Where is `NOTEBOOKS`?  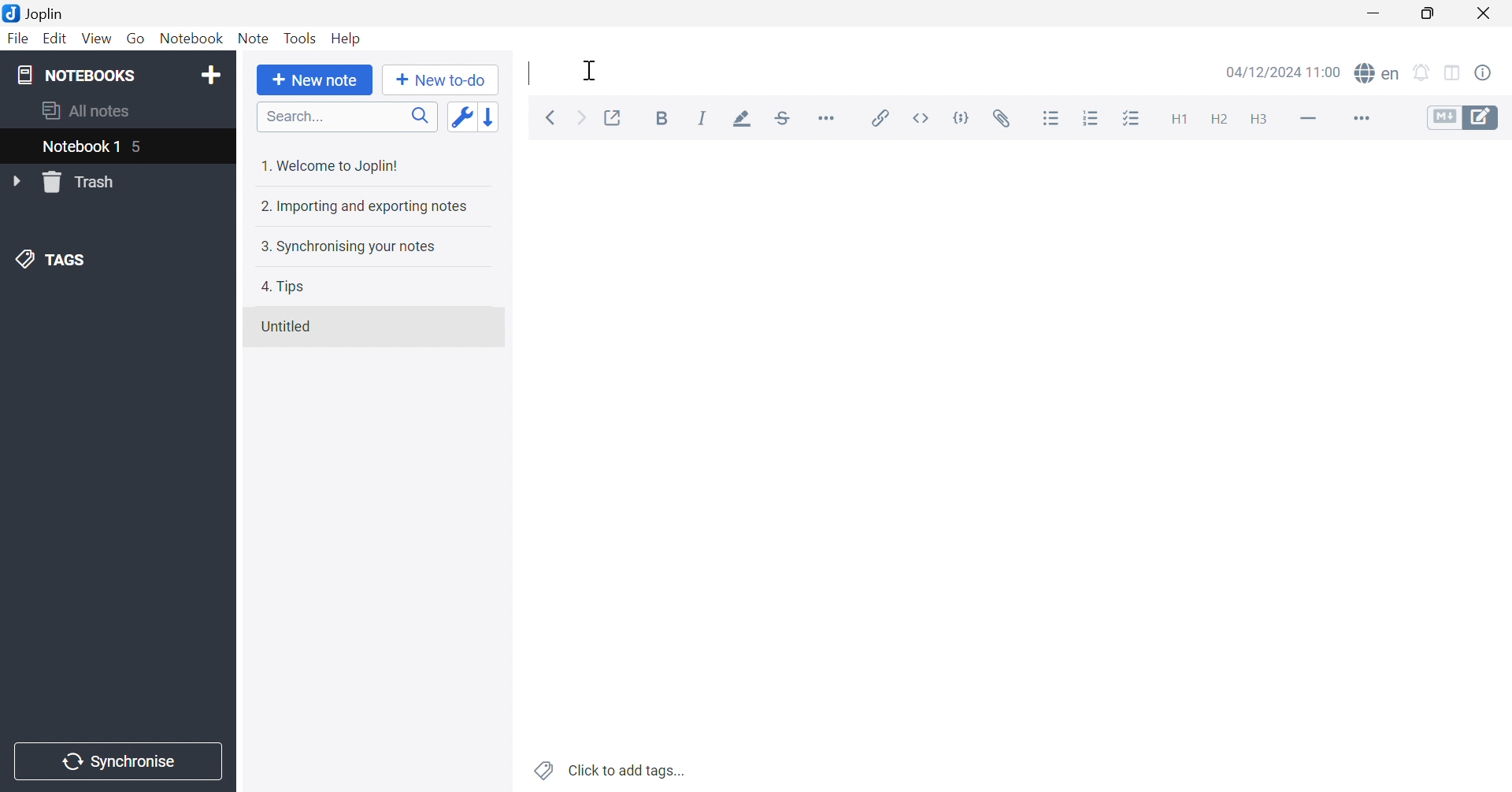 NOTEBOOKS is located at coordinates (79, 76).